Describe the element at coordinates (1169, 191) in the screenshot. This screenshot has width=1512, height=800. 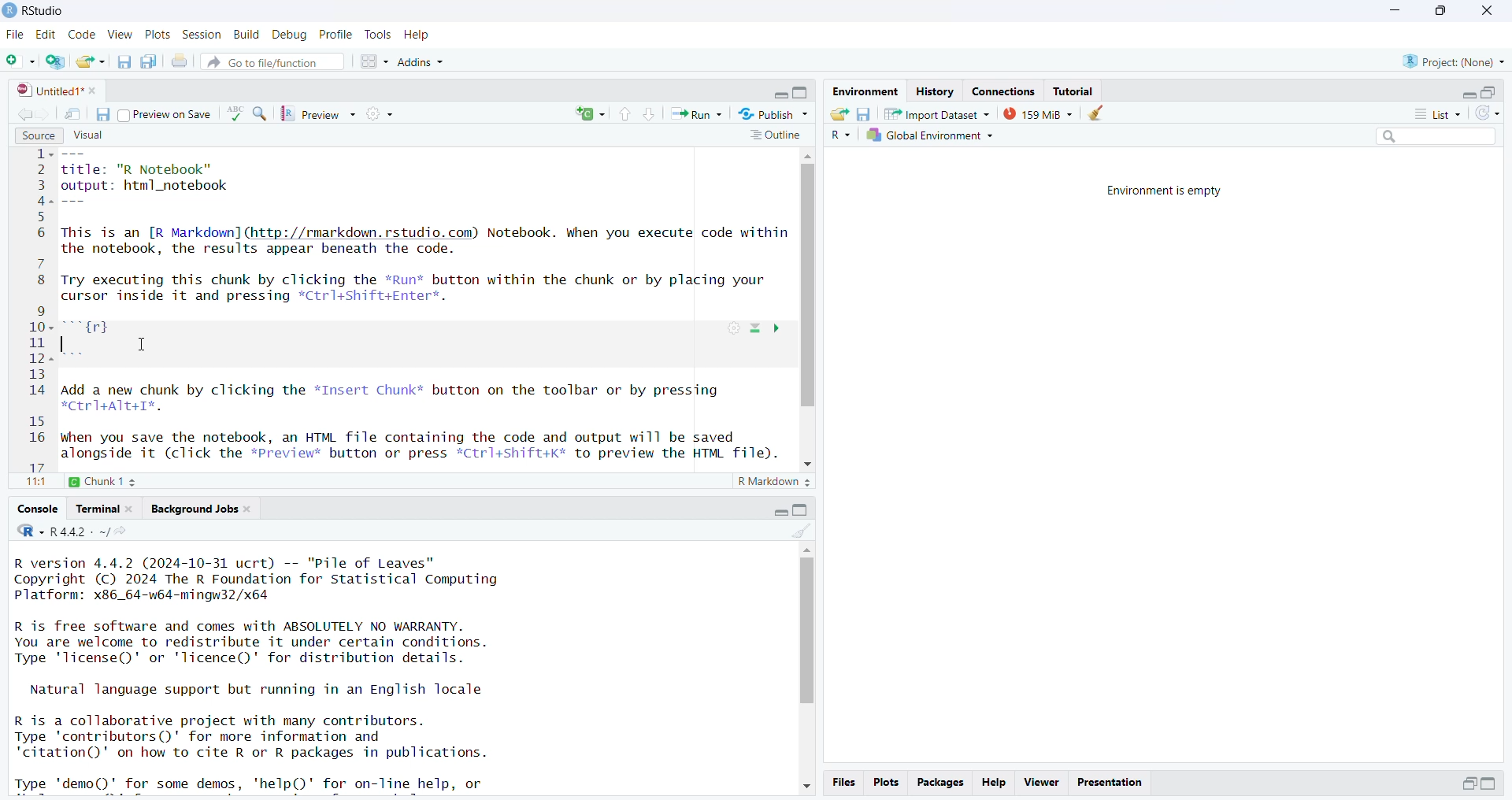
I see `Environment is empty` at that location.